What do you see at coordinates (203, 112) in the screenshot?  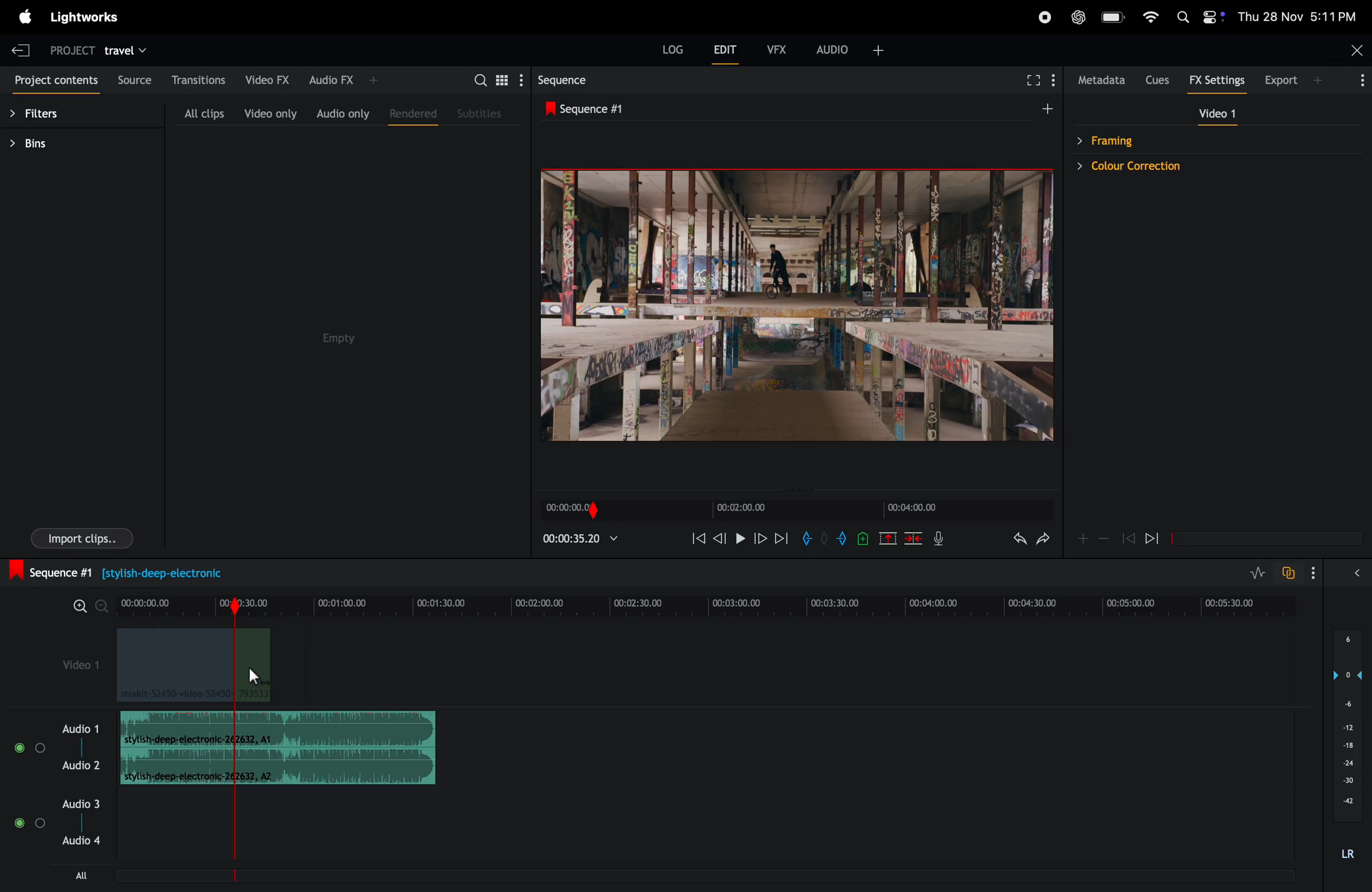 I see `all clips` at bounding box center [203, 112].